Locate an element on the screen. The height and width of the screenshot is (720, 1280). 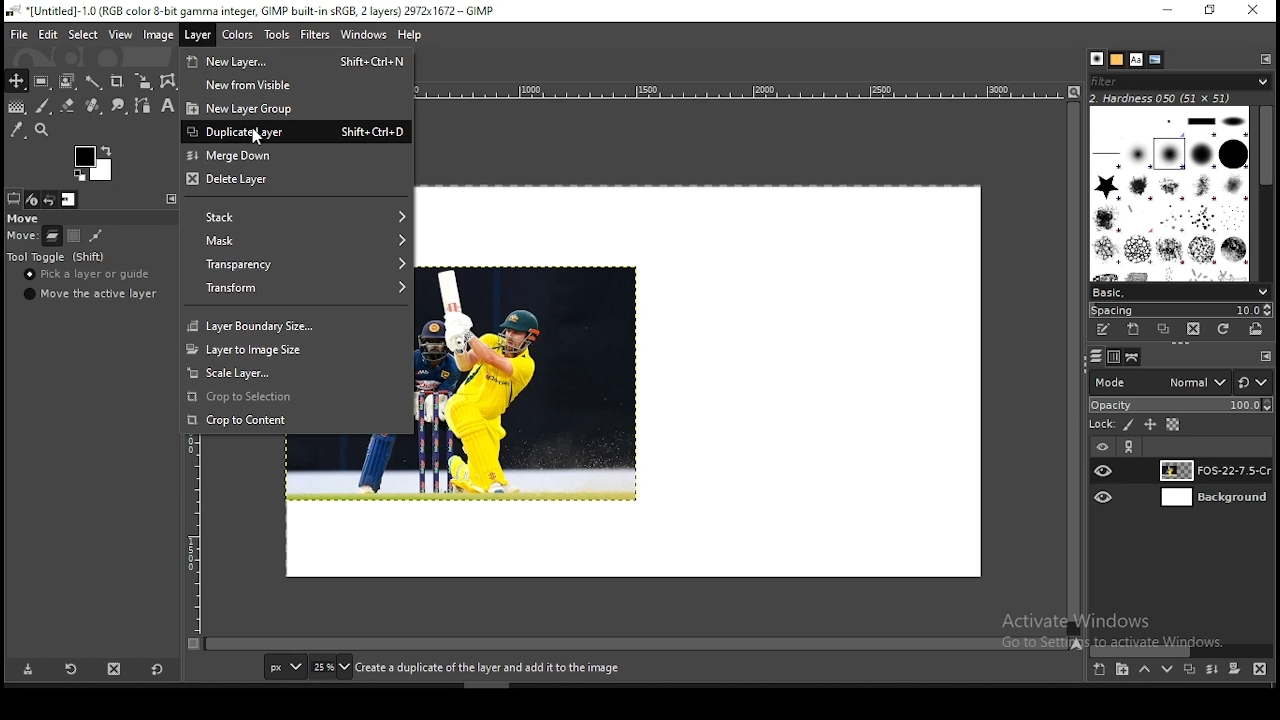
blend mode is located at coordinates (1180, 382).